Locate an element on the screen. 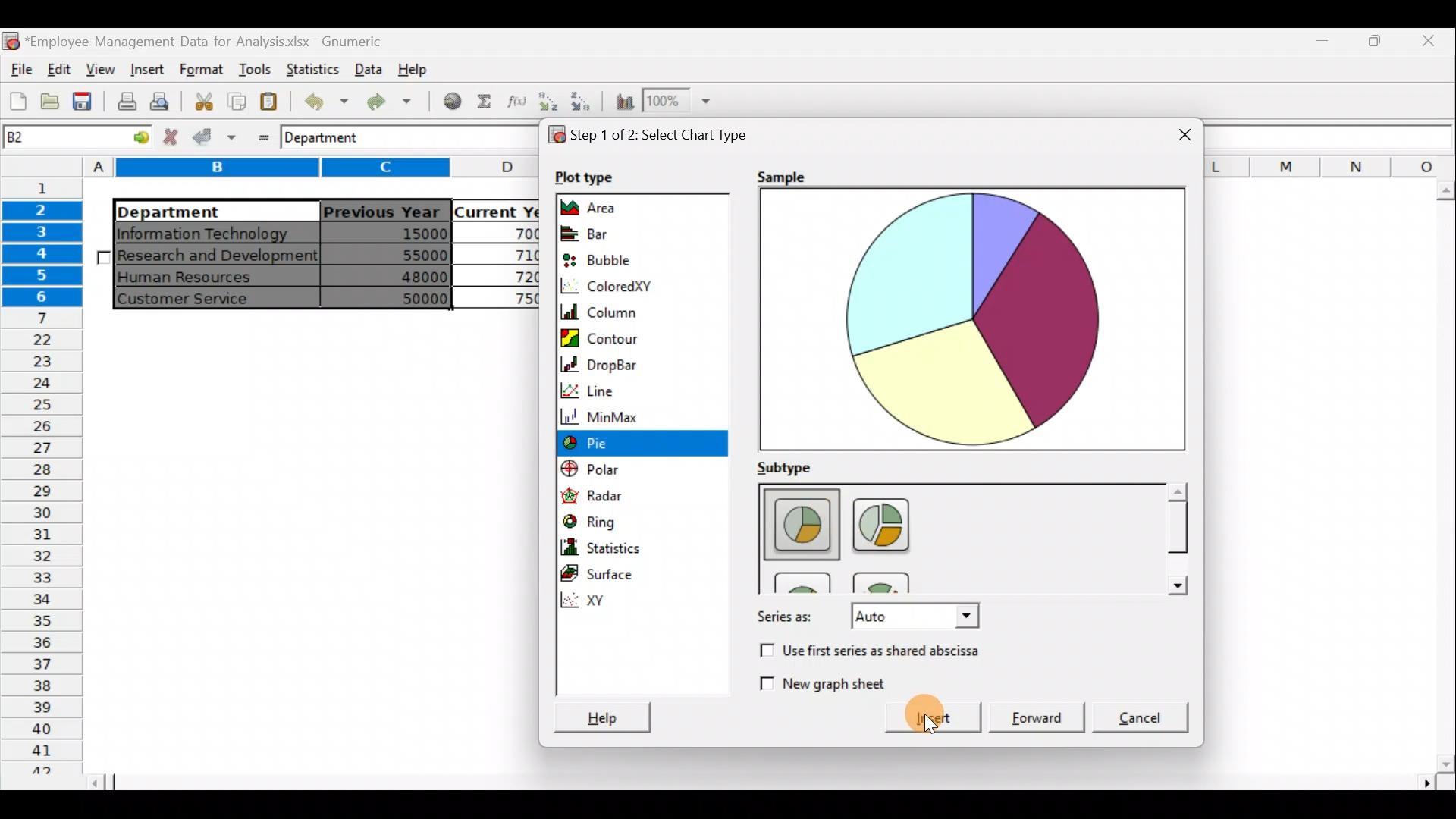 This screenshot has width=1456, height=819. Plot Preview is located at coordinates (972, 321).